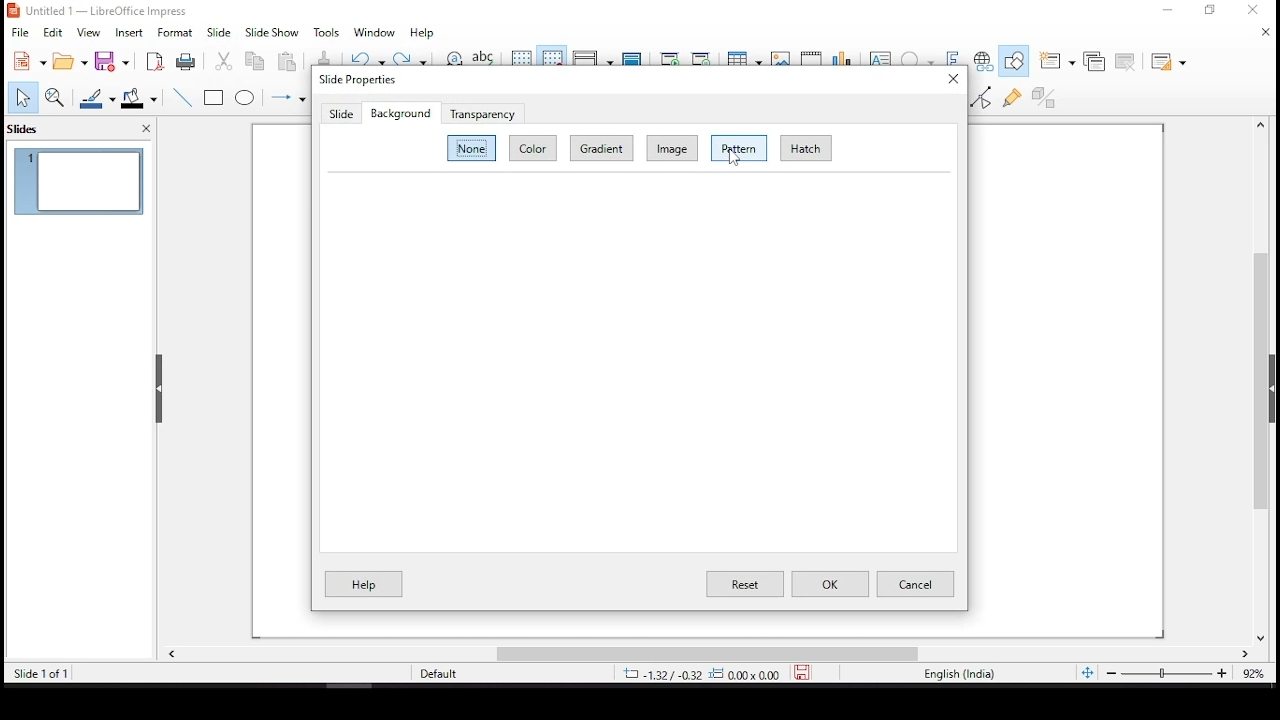 Image resolution: width=1280 pixels, height=720 pixels. I want to click on copy, so click(254, 61).